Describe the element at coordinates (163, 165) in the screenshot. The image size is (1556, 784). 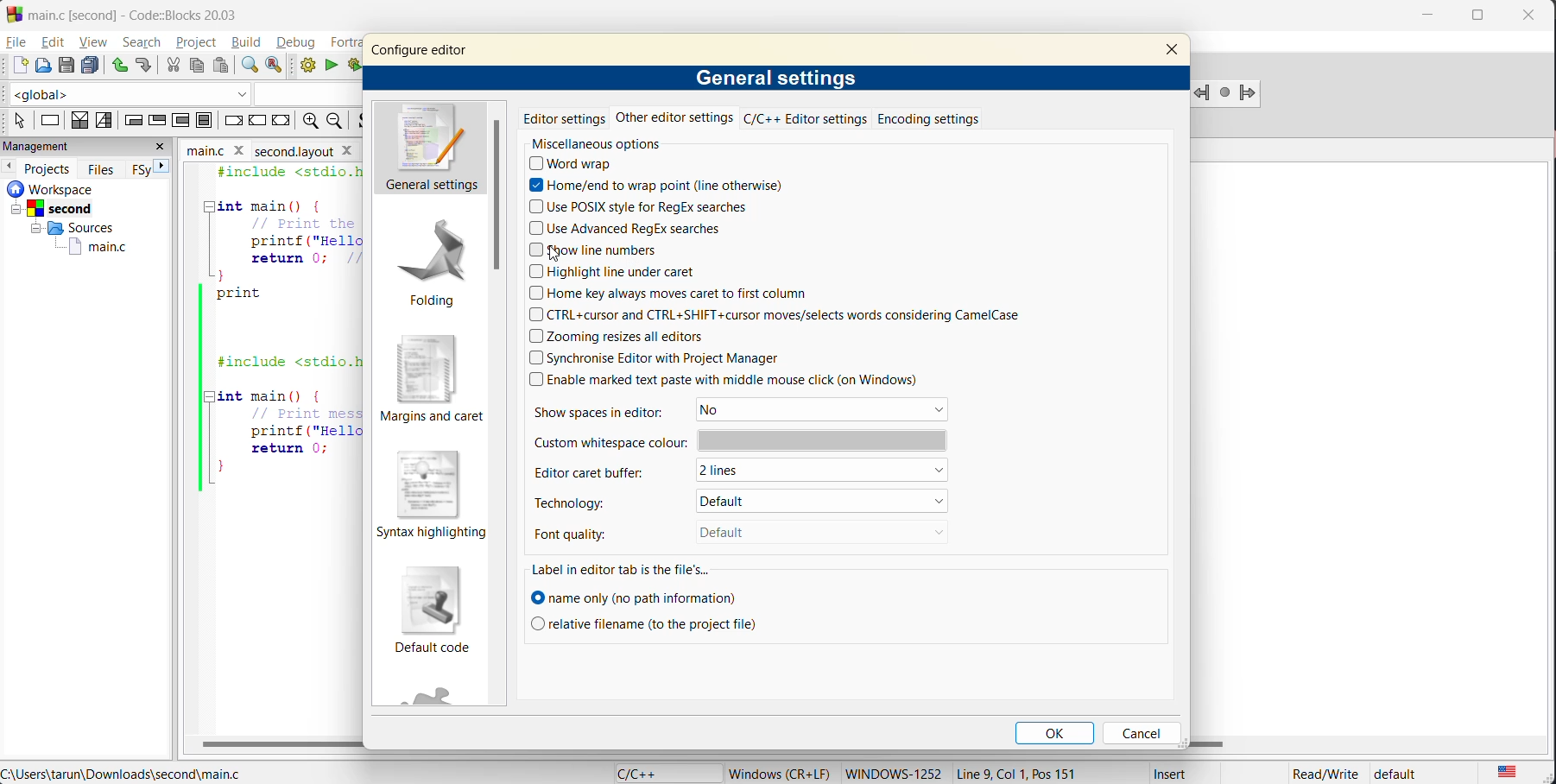
I see `next` at that location.